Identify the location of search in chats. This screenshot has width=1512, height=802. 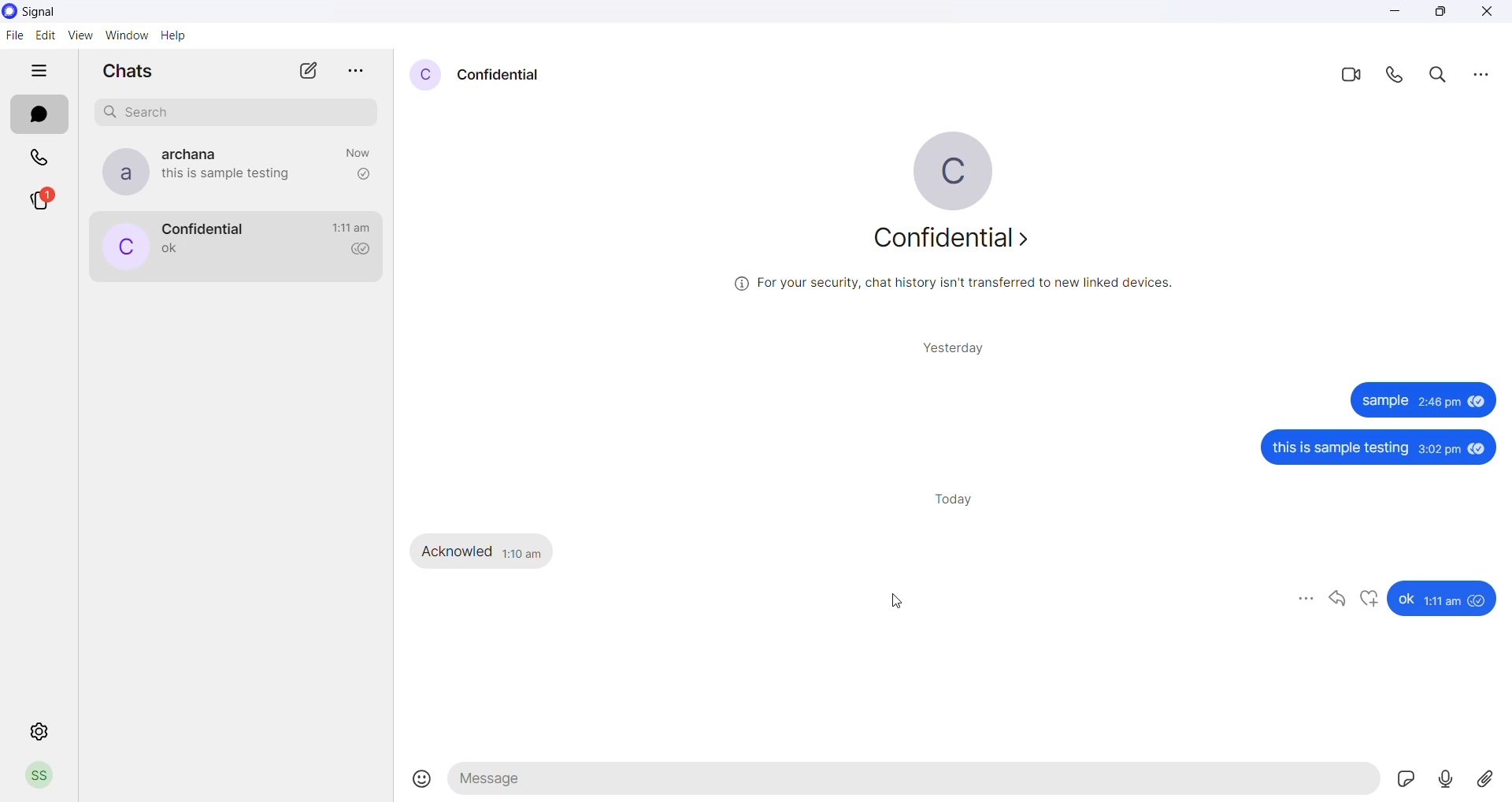
(1442, 75).